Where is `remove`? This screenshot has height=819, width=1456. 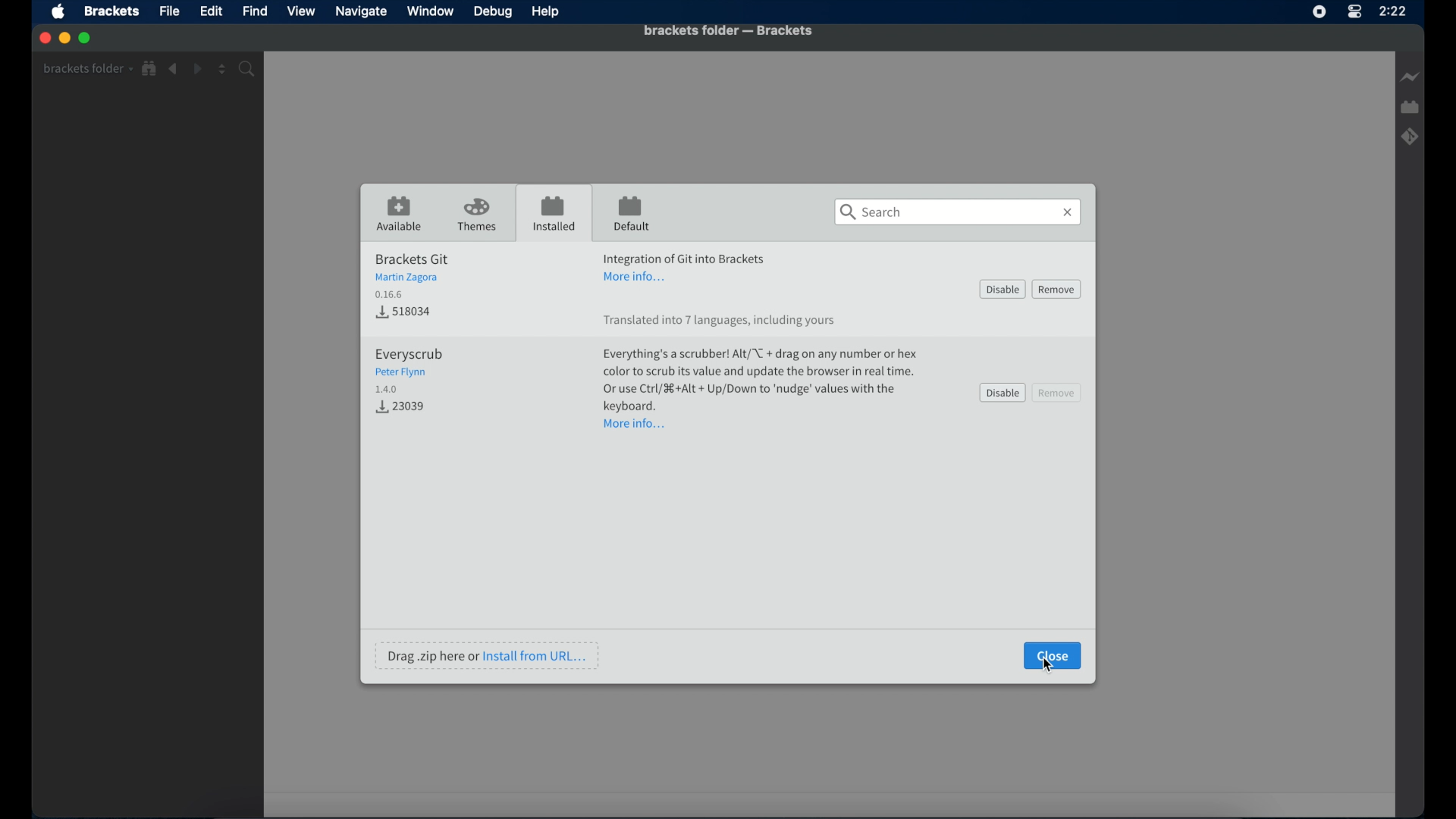
remove is located at coordinates (1058, 392).